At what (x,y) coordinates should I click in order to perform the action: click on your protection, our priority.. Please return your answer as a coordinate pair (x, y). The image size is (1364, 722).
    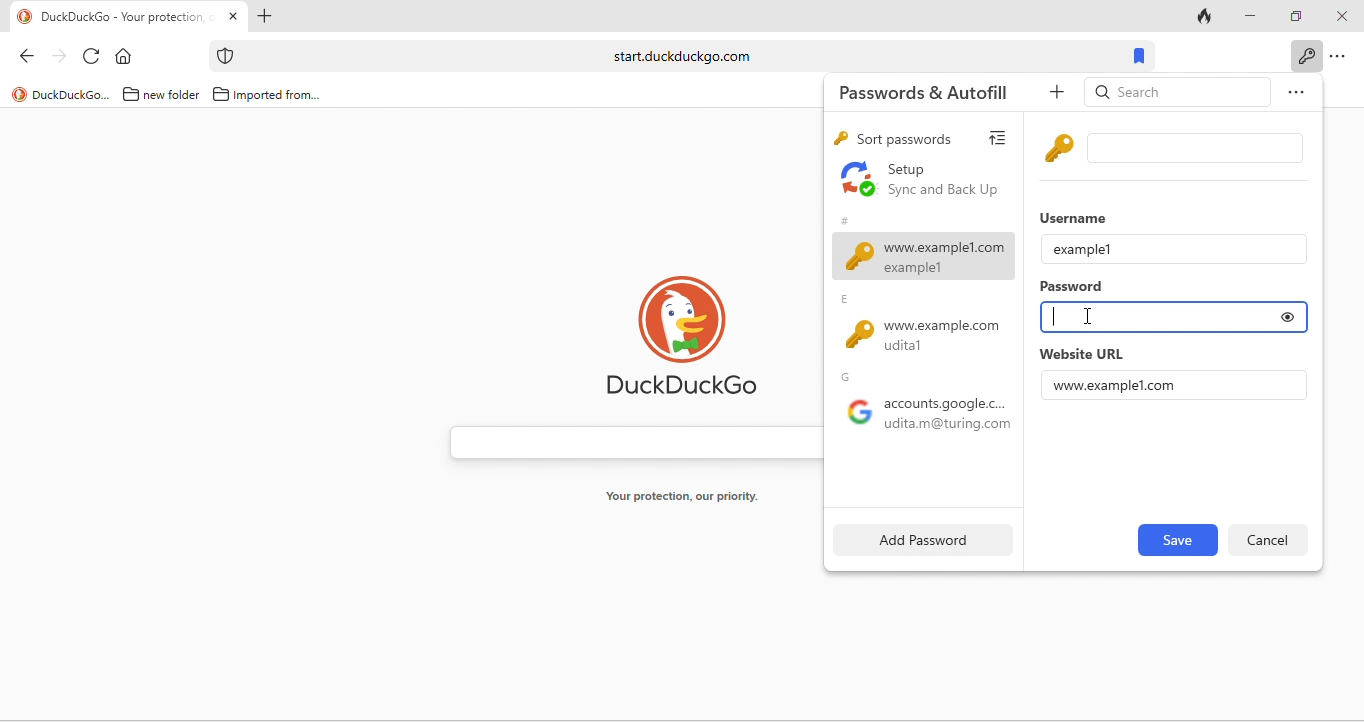
    Looking at the image, I should click on (683, 497).